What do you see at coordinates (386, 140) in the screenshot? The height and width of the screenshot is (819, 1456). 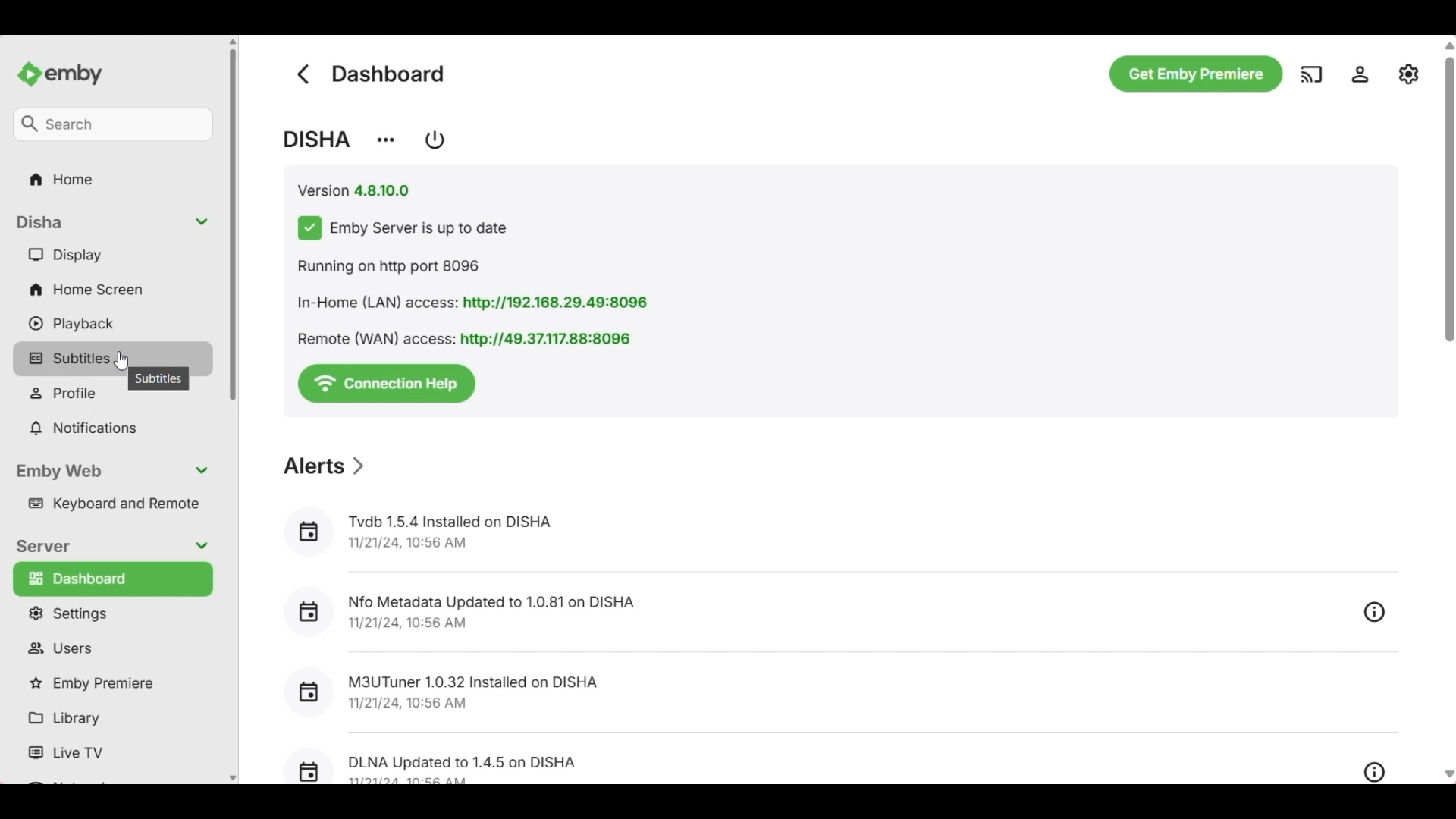 I see `Change server name/ View server info` at bounding box center [386, 140].